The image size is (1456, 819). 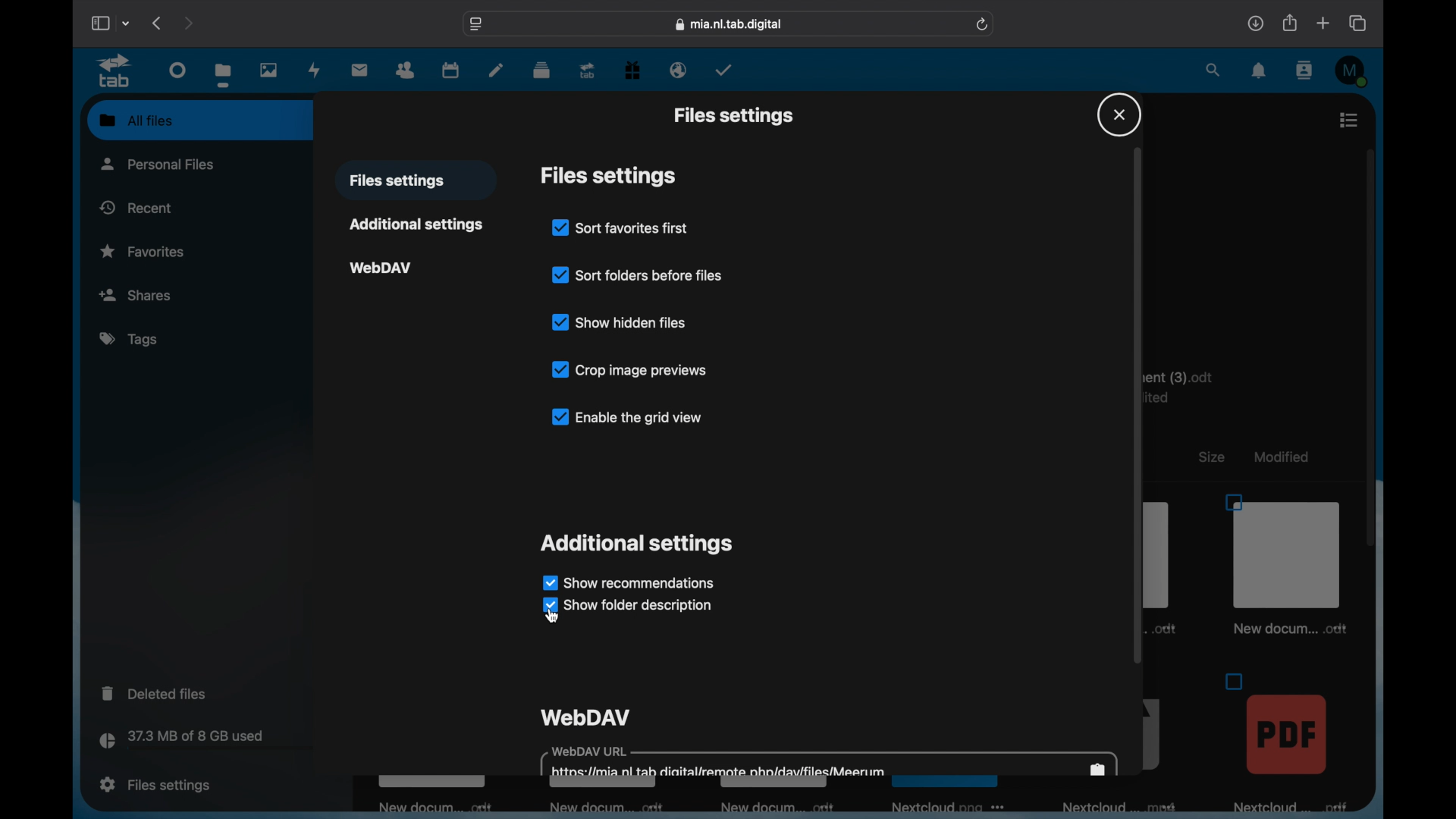 I want to click on sort folders before files, so click(x=637, y=275).